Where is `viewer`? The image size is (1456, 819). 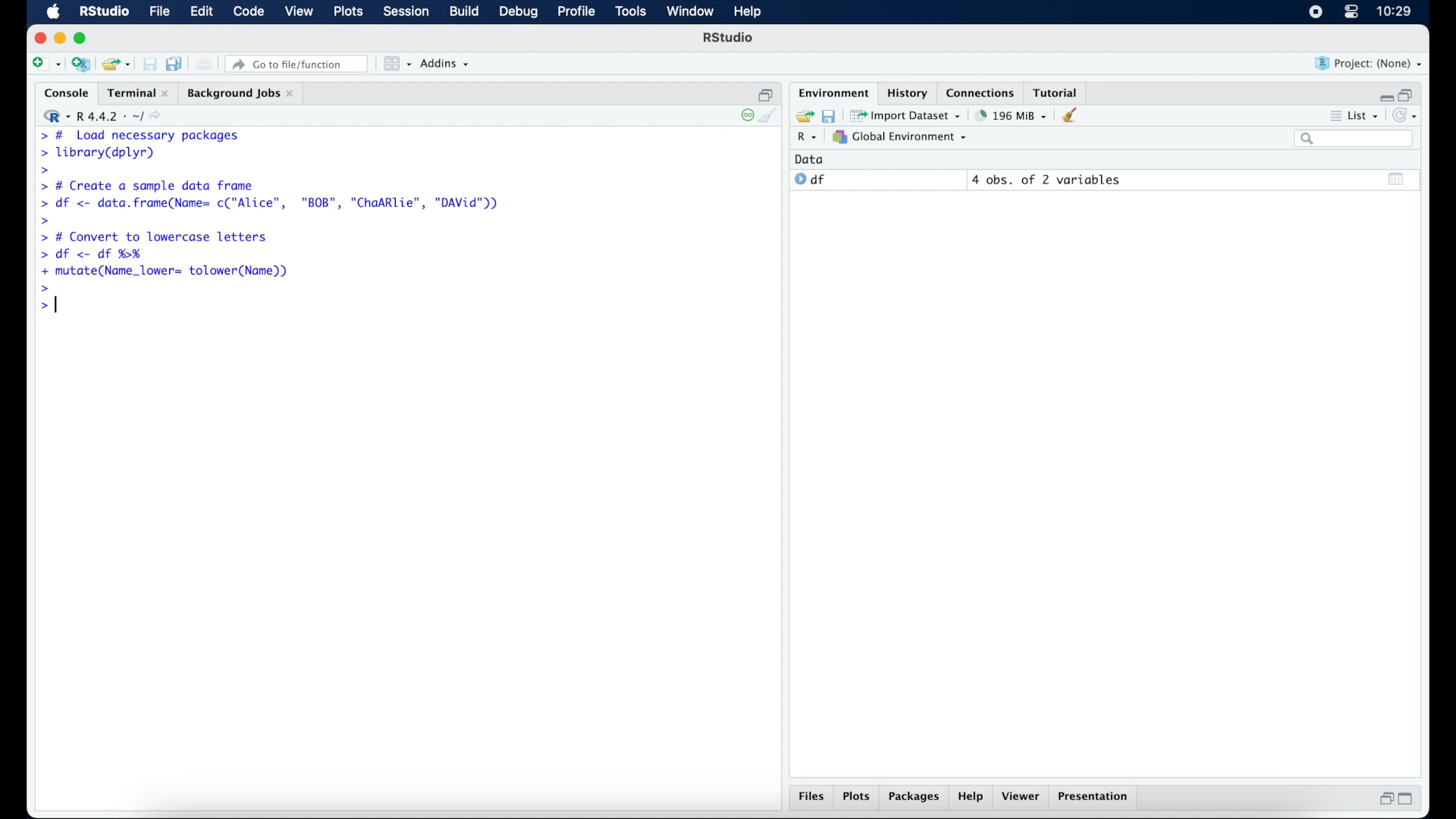 viewer is located at coordinates (1024, 798).